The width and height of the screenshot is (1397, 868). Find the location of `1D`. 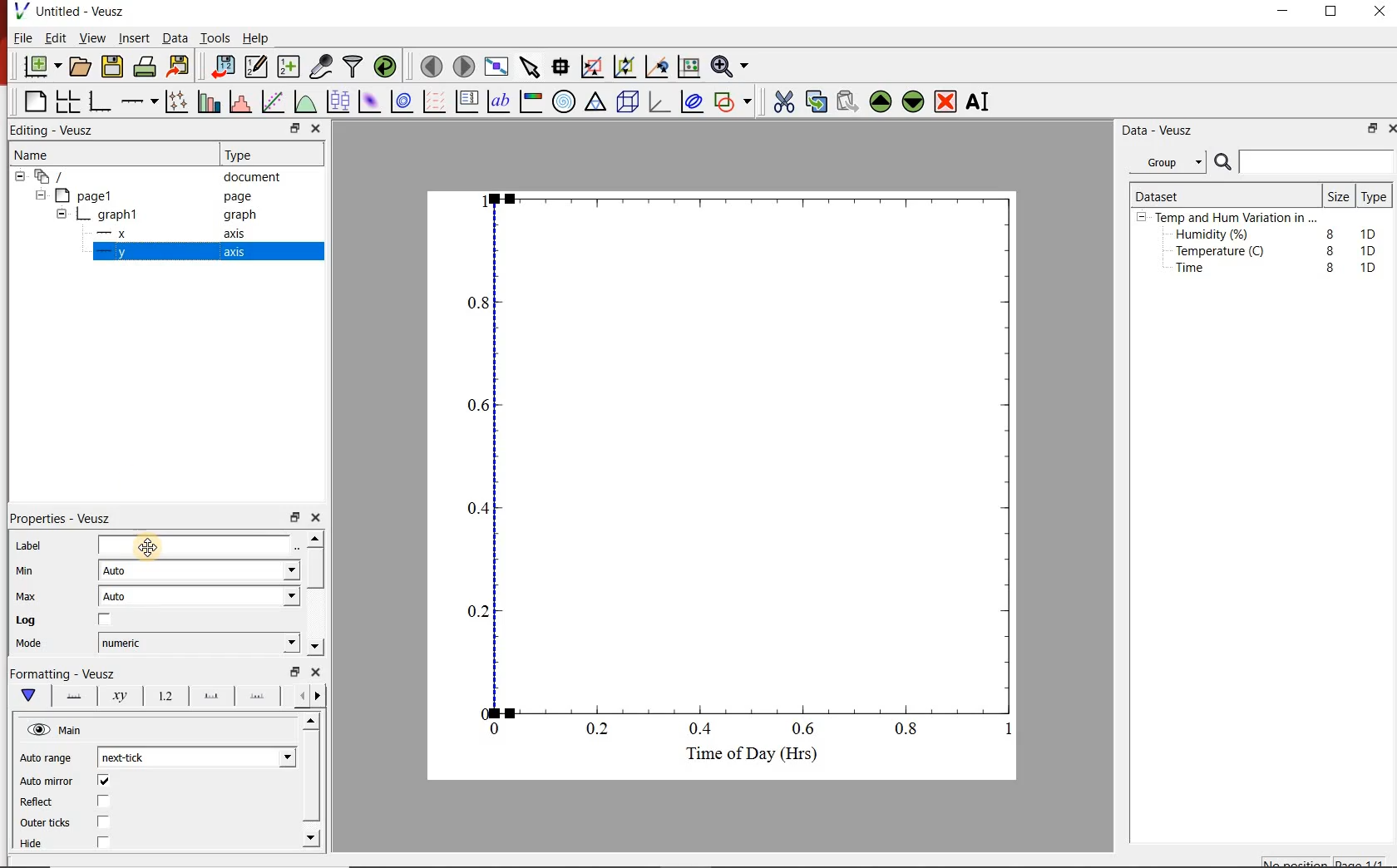

1D is located at coordinates (1372, 232).